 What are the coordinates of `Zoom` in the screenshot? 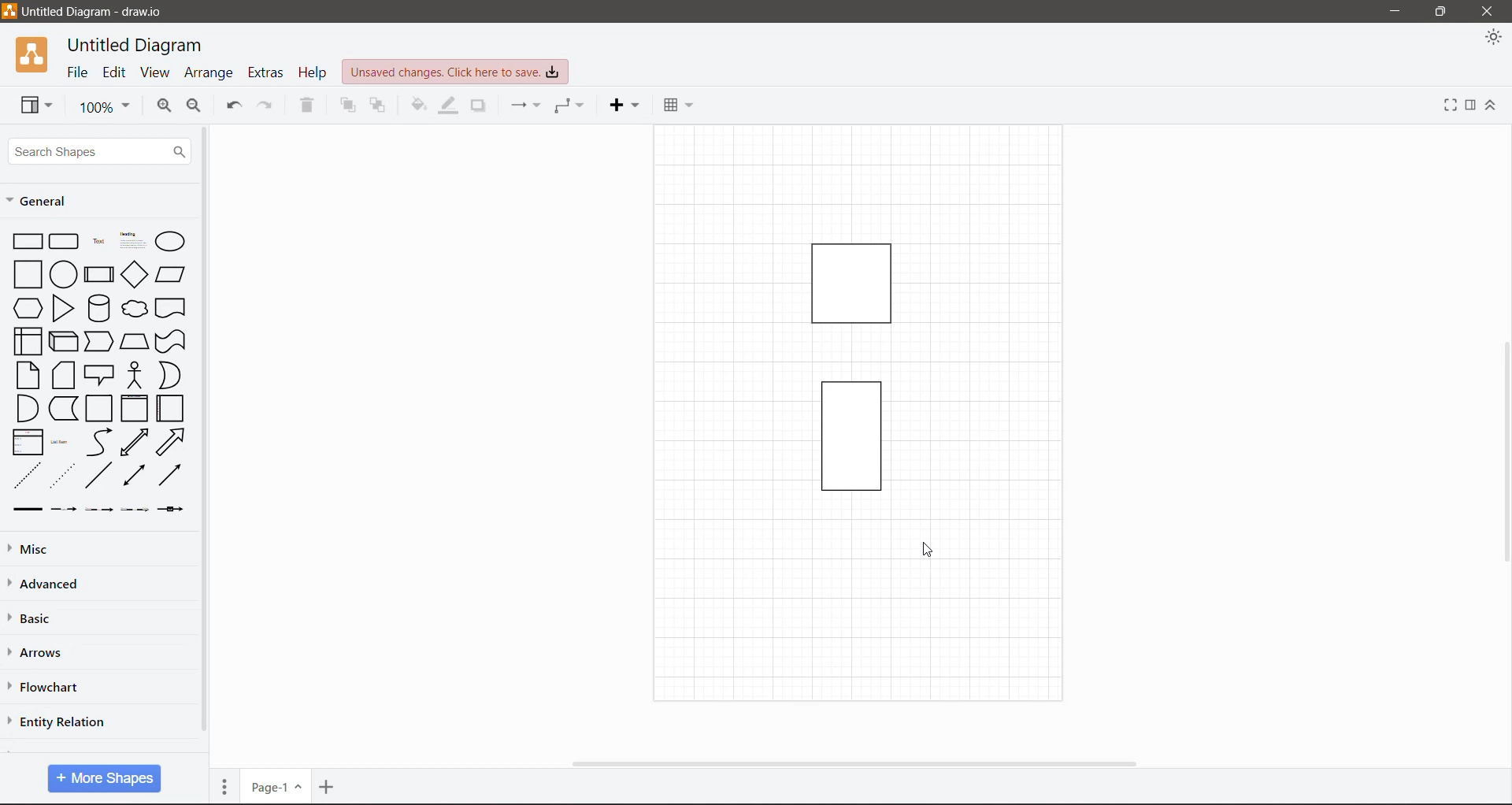 It's located at (102, 106).